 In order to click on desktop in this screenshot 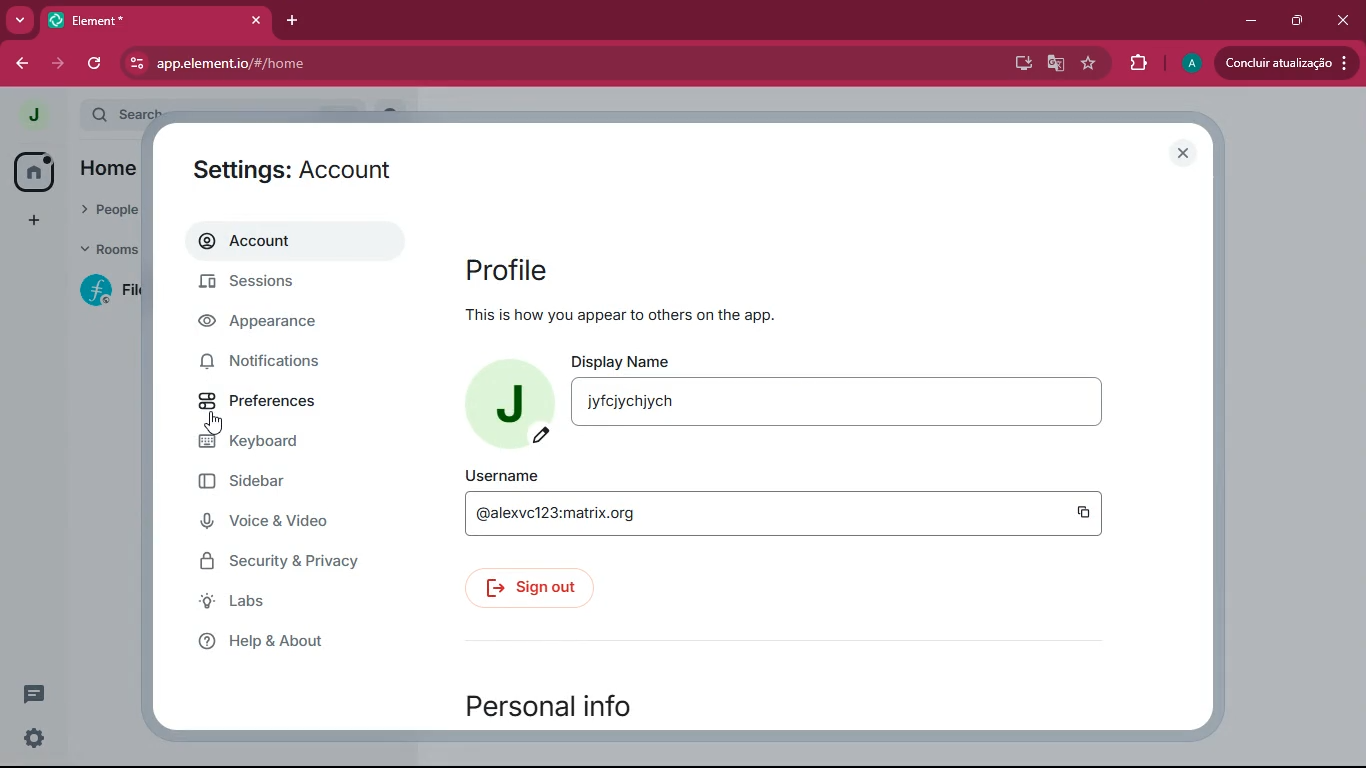, I will do `click(1022, 65)`.